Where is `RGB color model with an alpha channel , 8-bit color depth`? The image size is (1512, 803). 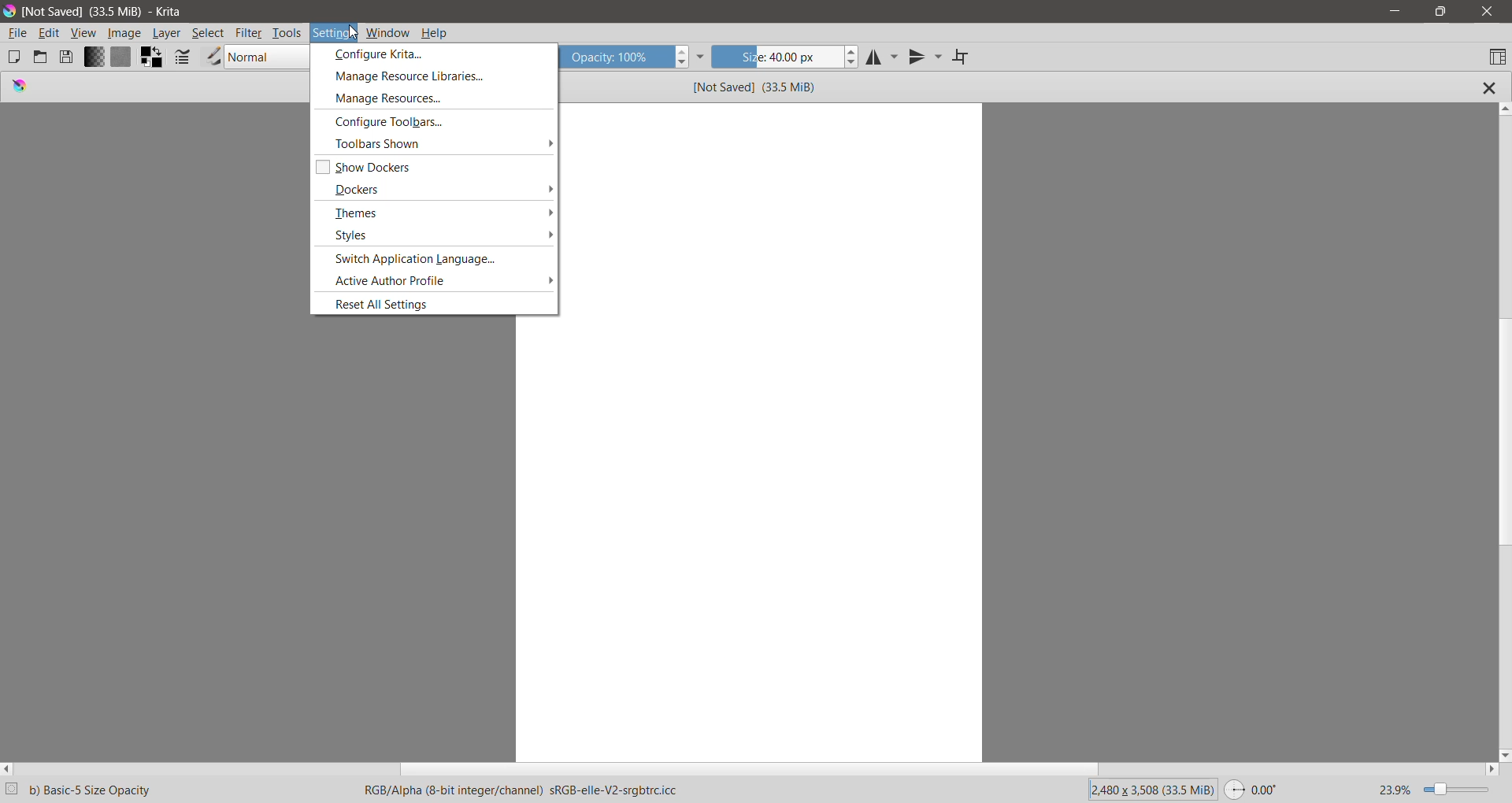
RGB color model with an alpha channel , 8-bit color depth is located at coordinates (450, 791).